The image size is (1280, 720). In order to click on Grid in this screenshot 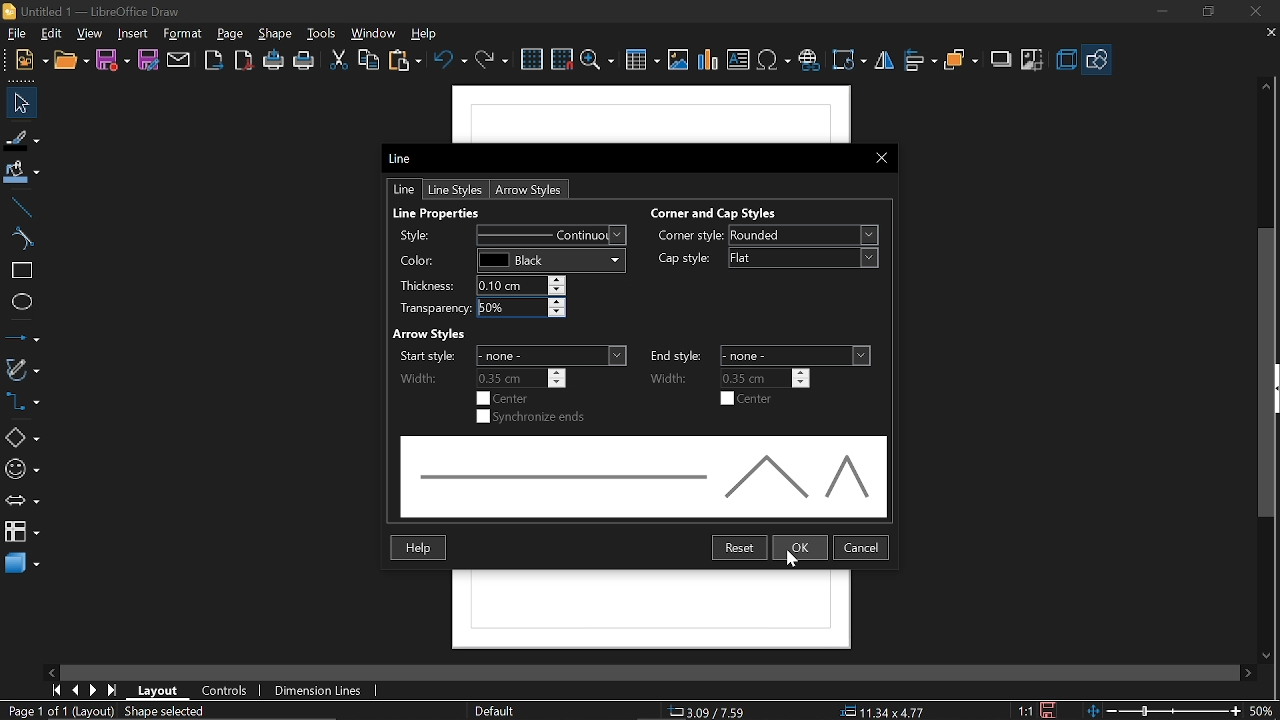, I will do `click(533, 59)`.